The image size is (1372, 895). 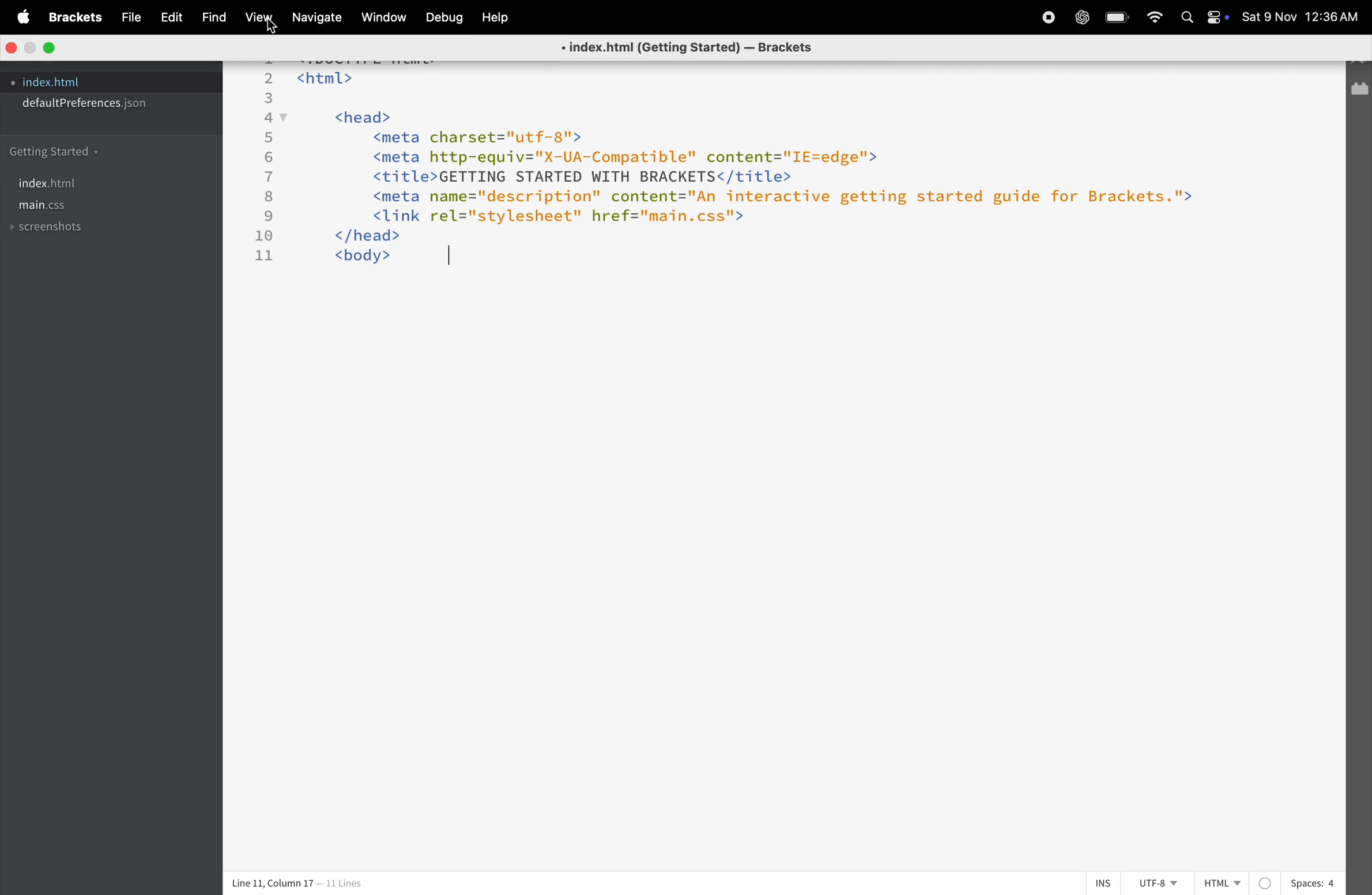 What do you see at coordinates (59, 208) in the screenshot?
I see `main.css` at bounding box center [59, 208].